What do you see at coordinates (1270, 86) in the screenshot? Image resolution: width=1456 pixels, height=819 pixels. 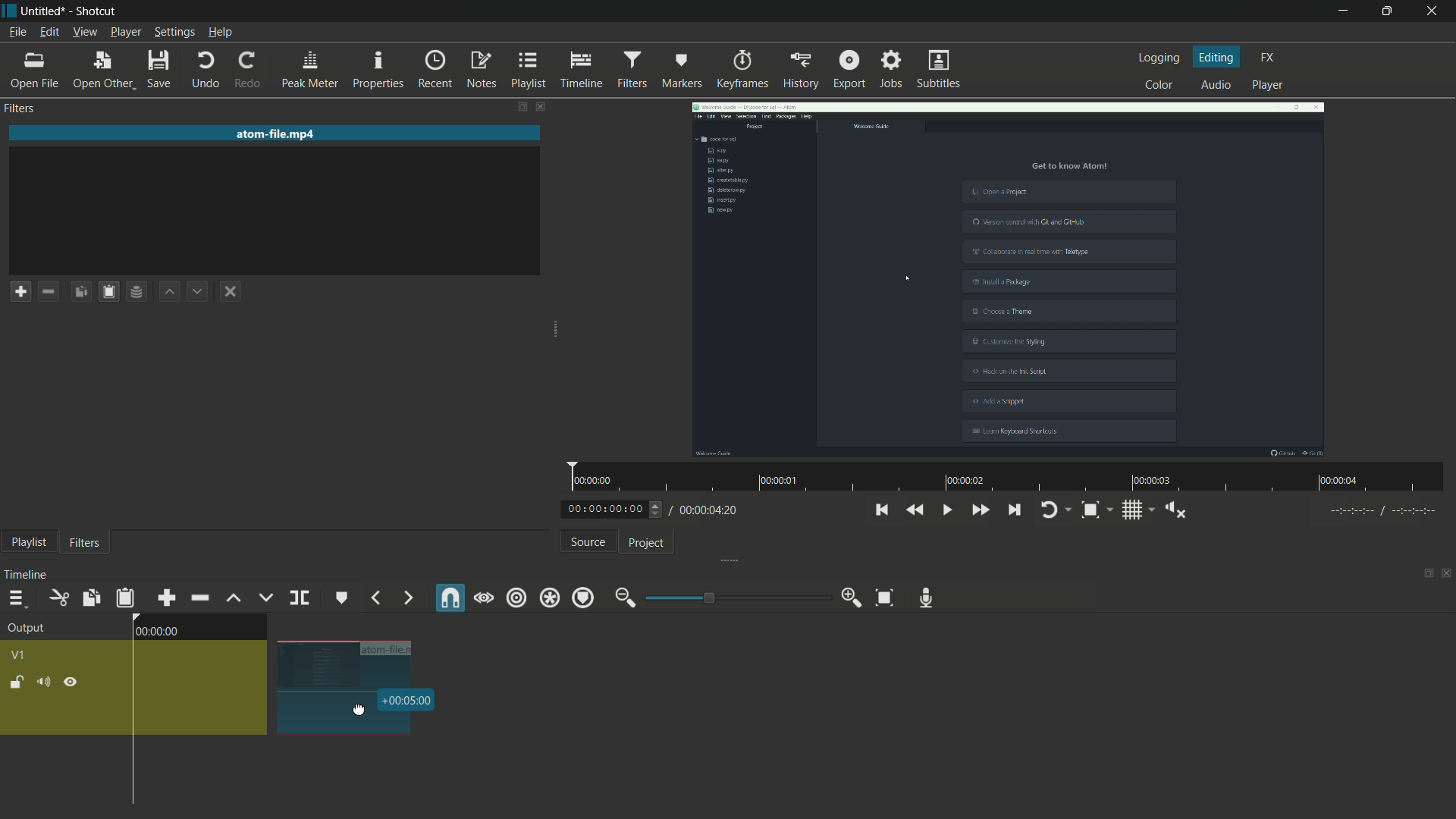 I see `player` at bounding box center [1270, 86].